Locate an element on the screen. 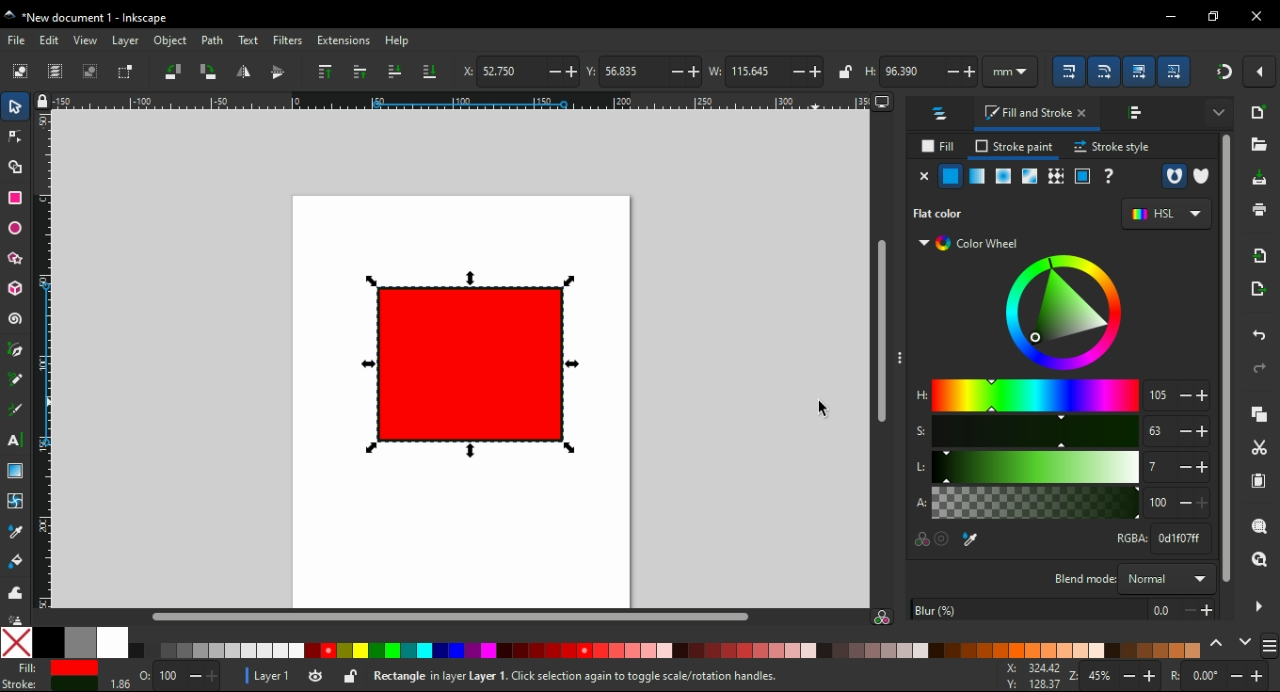 The image size is (1280, 692). print is located at coordinates (1259, 210).